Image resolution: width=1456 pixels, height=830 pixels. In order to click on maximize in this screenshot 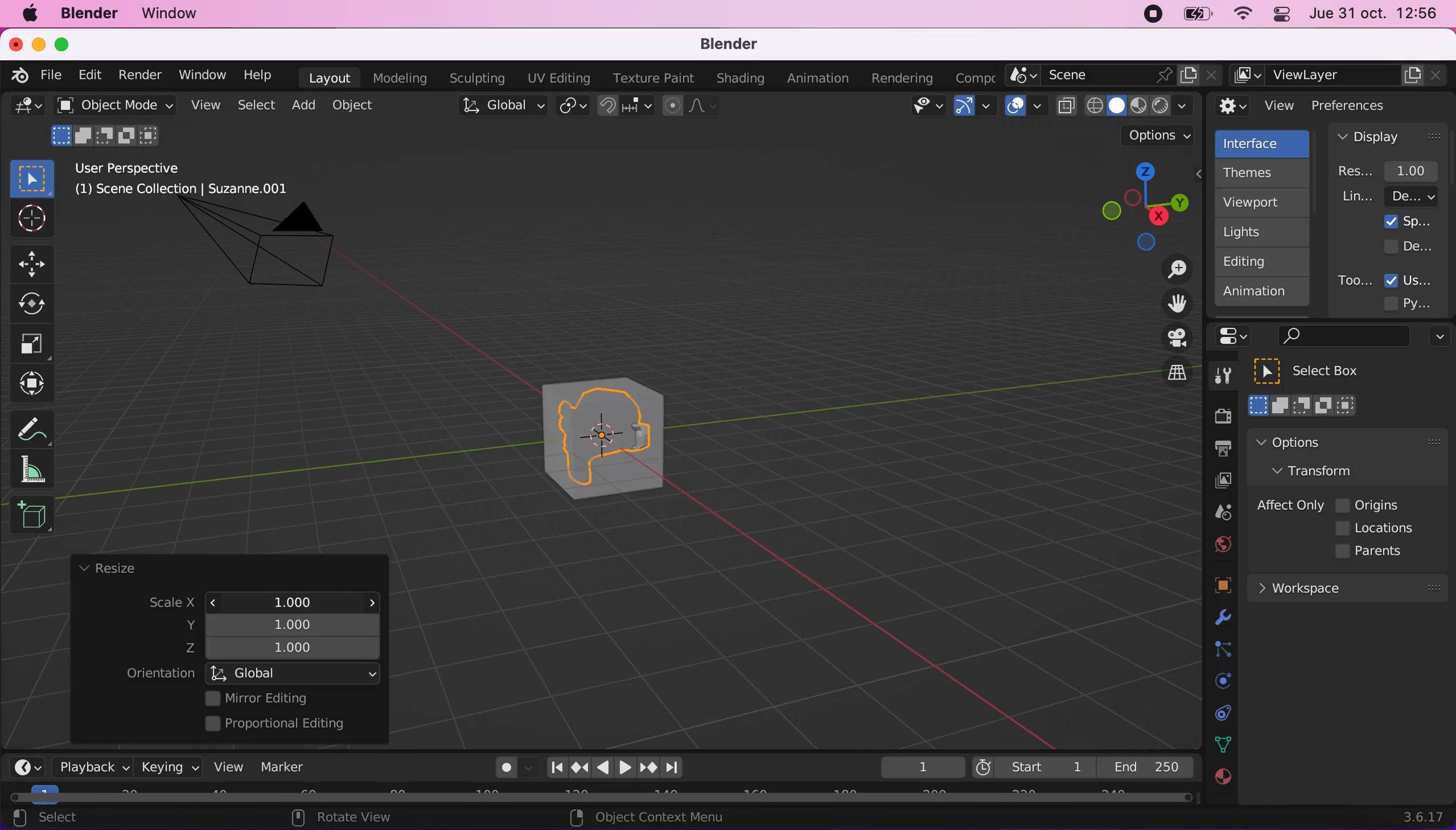, I will do `click(68, 44)`.